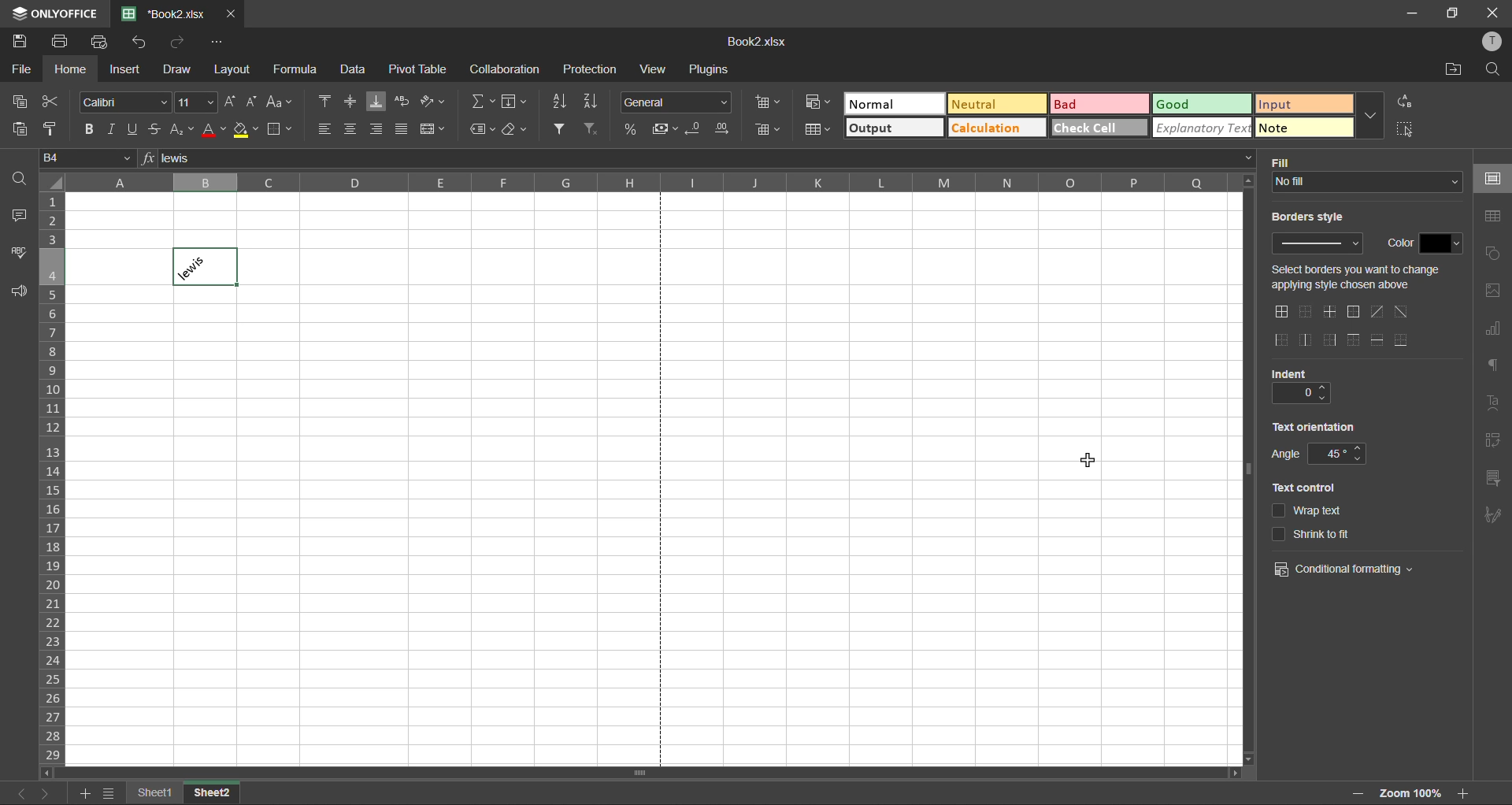 The image size is (1512, 805). Describe the element at coordinates (764, 40) in the screenshot. I see `filename` at that location.